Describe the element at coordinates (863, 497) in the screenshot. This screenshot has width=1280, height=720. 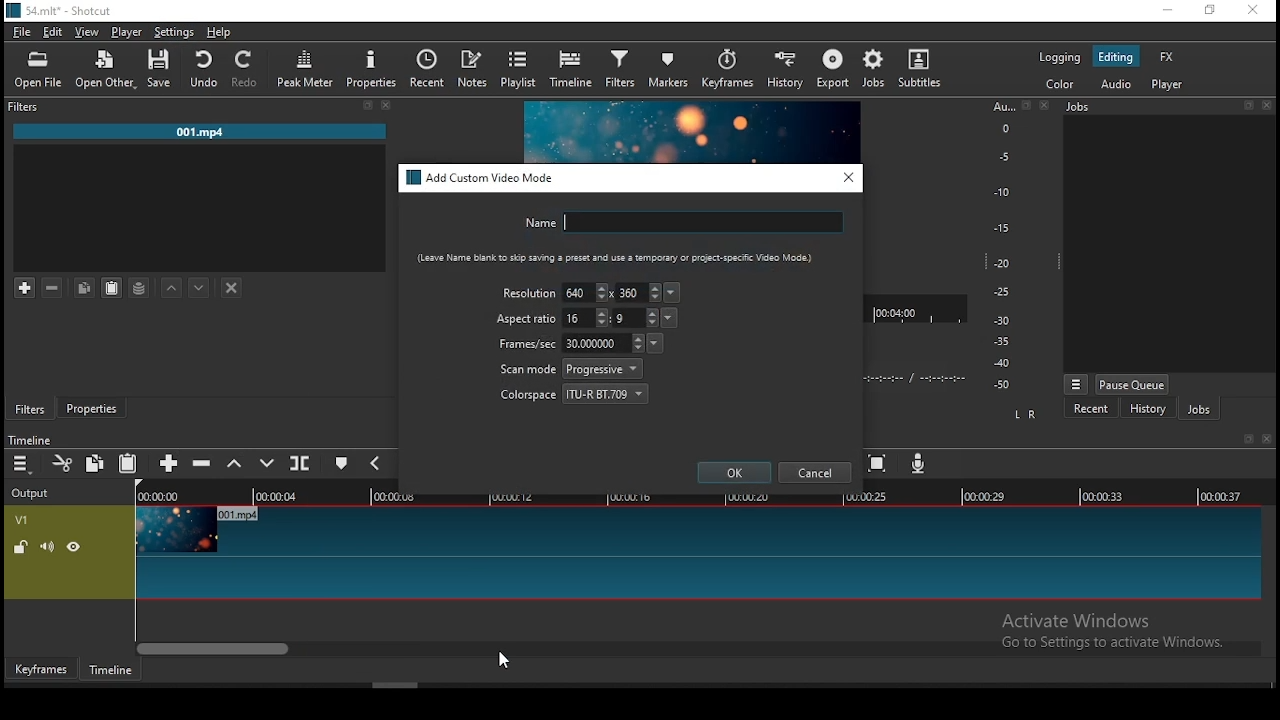
I see `00:00:25` at that location.